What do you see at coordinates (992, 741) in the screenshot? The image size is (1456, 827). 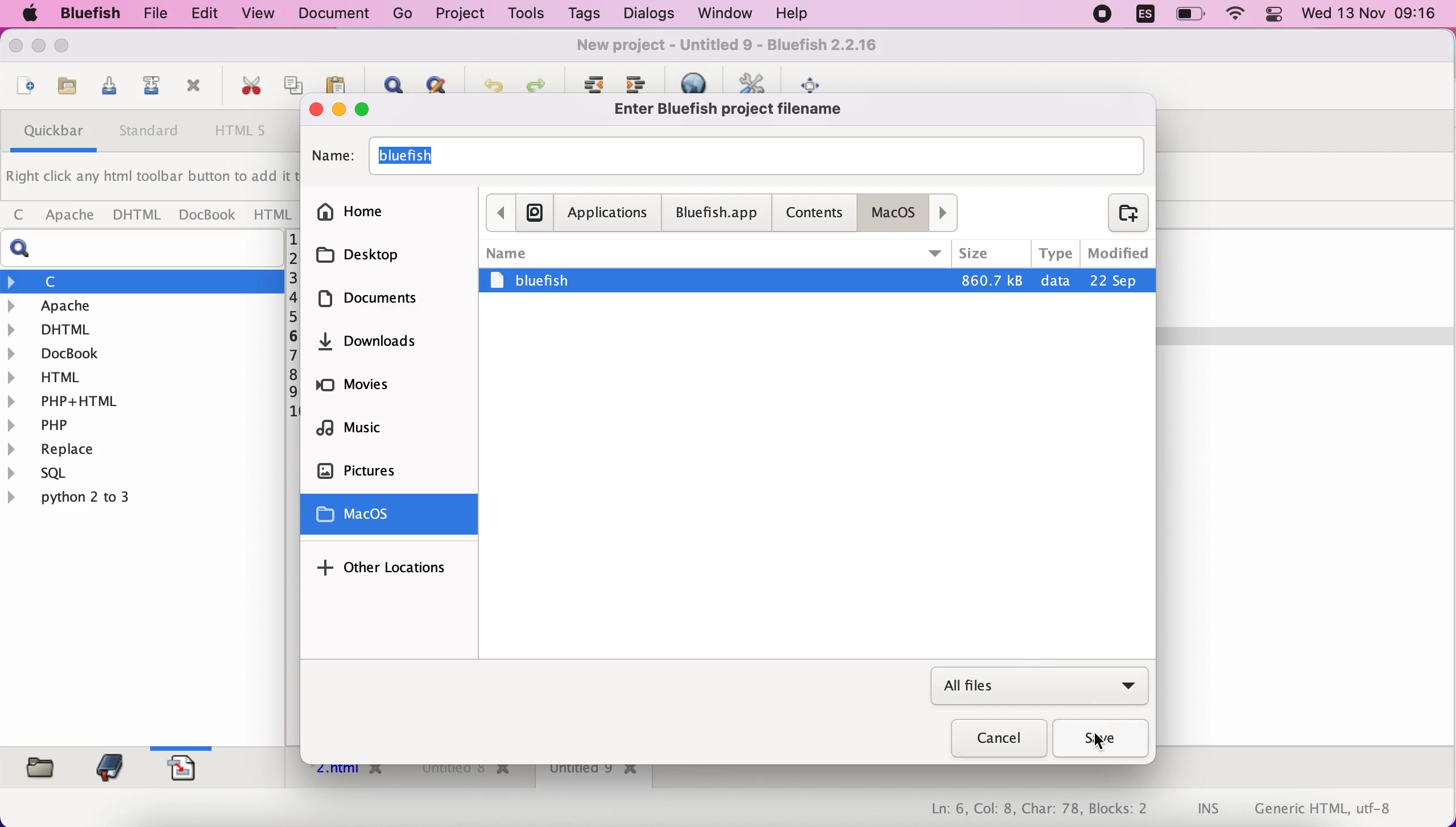 I see `cancel` at bounding box center [992, 741].